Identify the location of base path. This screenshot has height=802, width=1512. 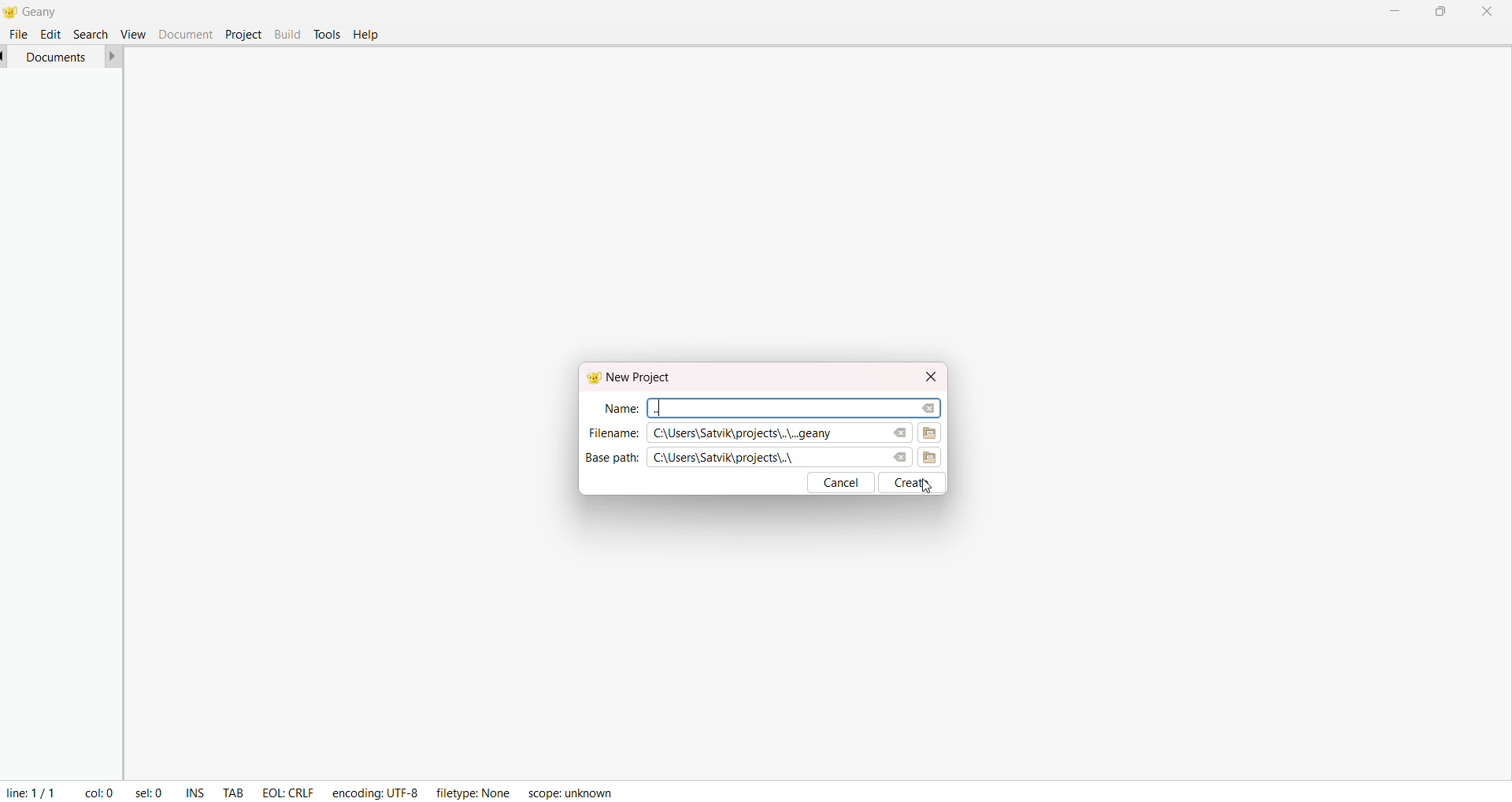
(609, 457).